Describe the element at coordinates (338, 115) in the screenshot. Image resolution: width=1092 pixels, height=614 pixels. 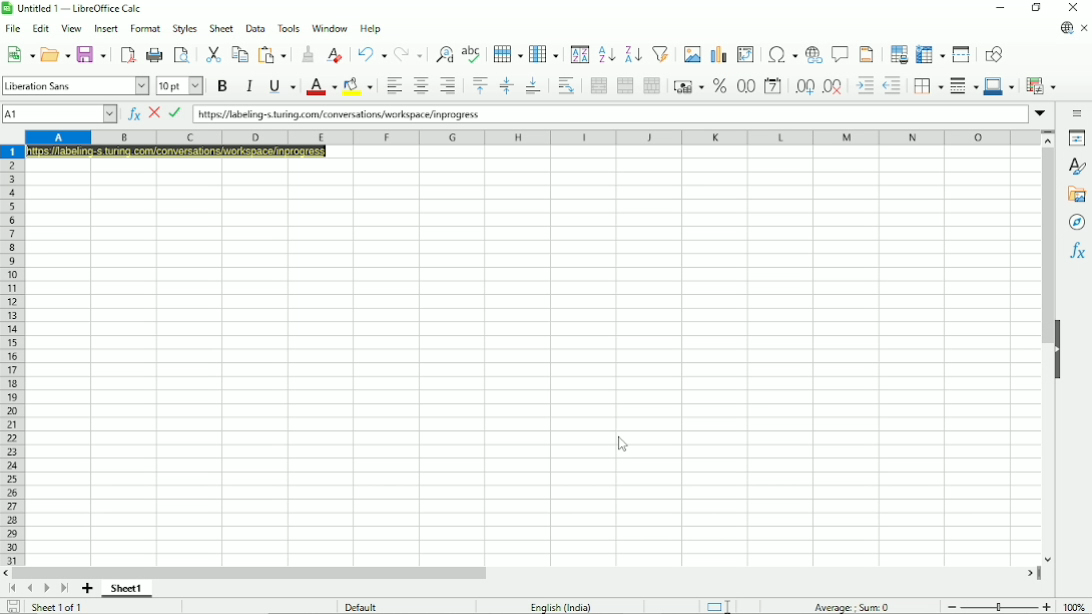
I see `https://labeling-s.turing.com/conversations/workspace/inprogress` at that location.